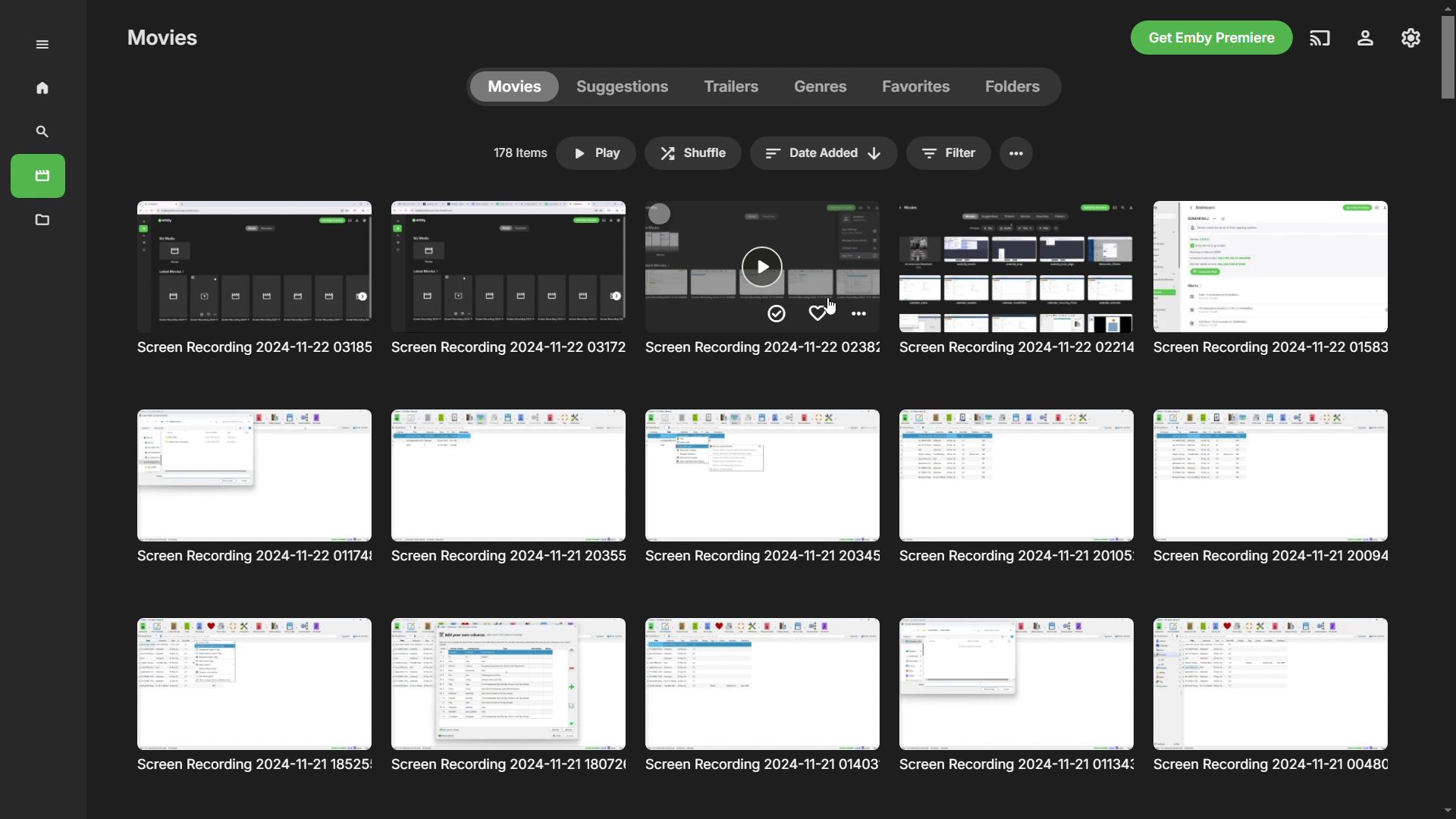 The height and width of the screenshot is (819, 1456). Describe the element at coordinates (517, 88) in the screenshot. I see `movies` at that location.